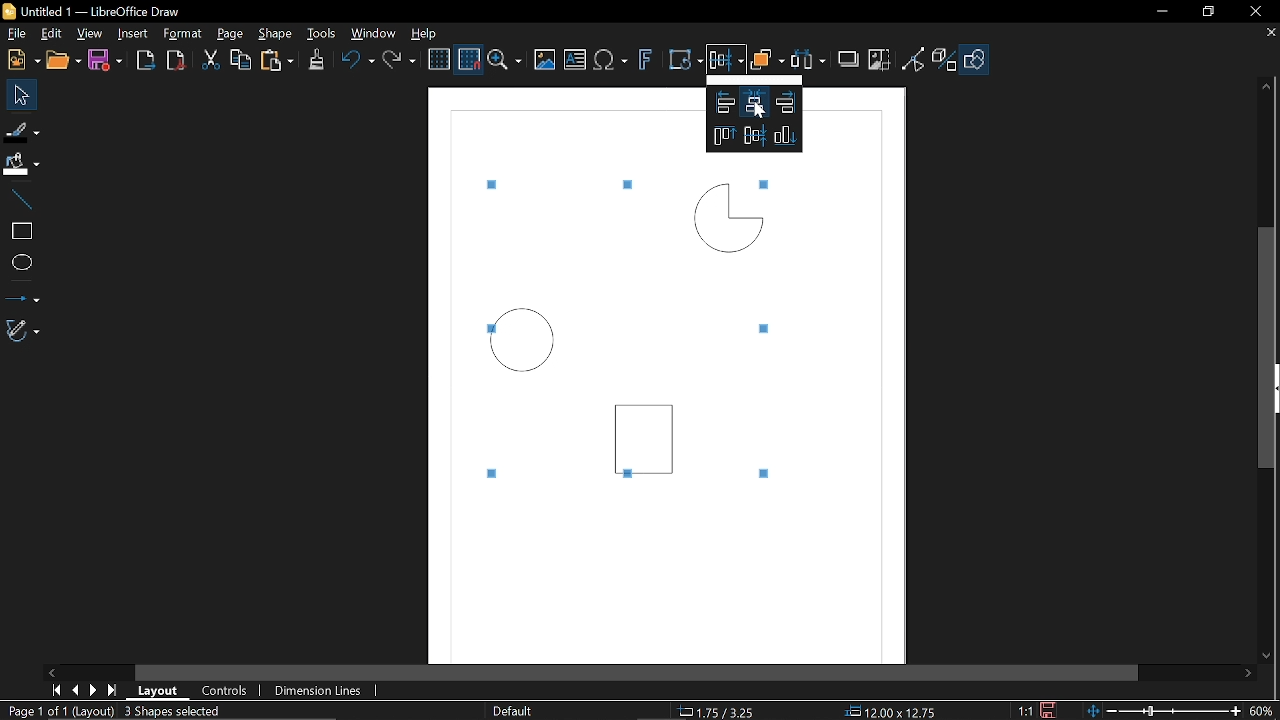 The height and width of the screenshot is (720, 1280). What do you see at coordinates (496, 184) in the screenshot?
I see `Tiny squares sound selected objects` at bounding box center [496, 184].